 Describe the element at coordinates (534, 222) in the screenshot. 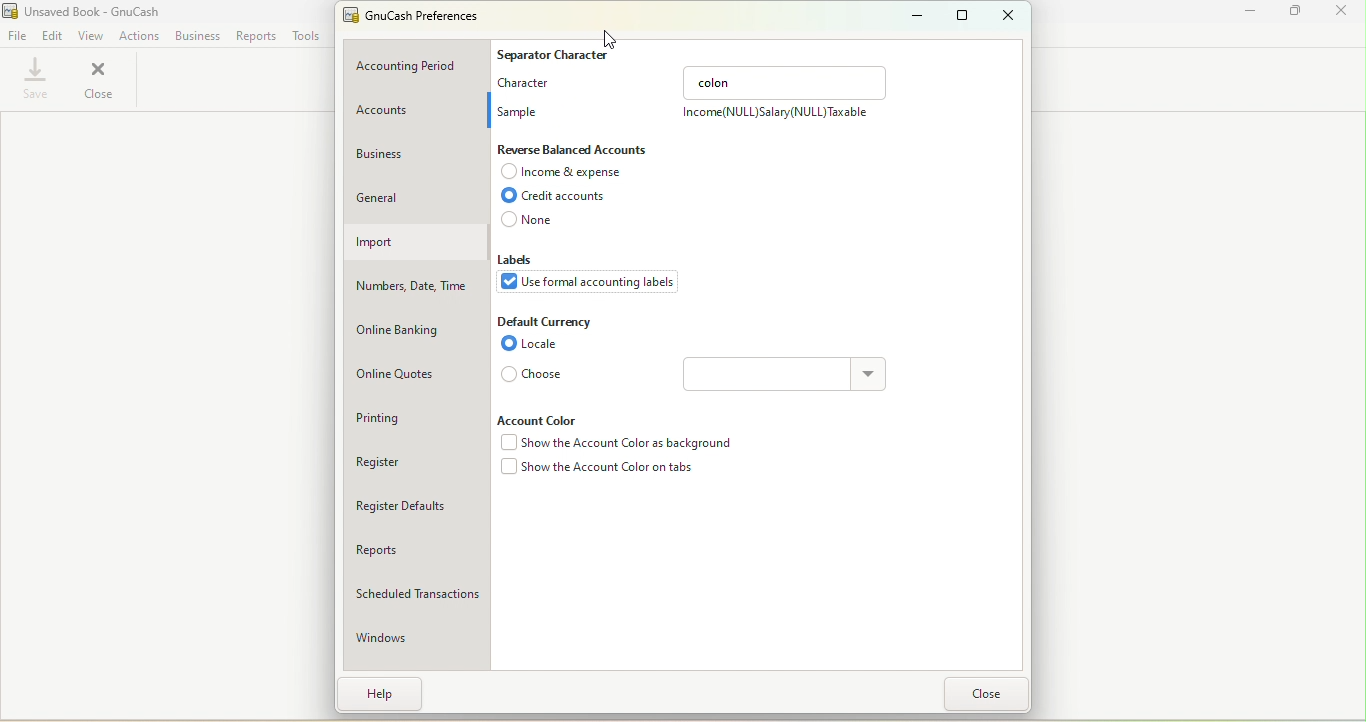

I see `None` at that location.